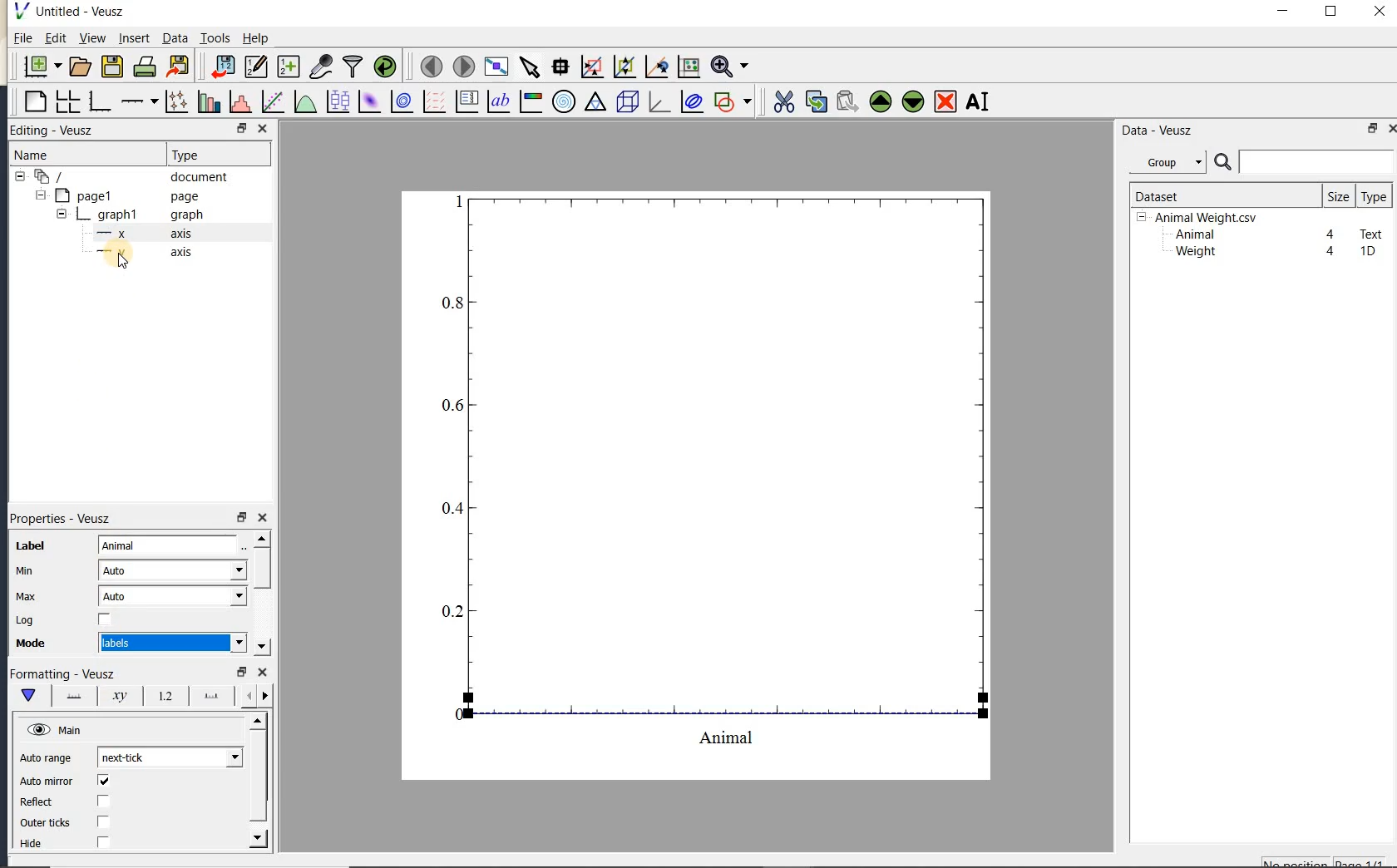 The height and width of the screenshot is (868, 1397). Describe the element at coordinates (27, 571) in the screenshot. I see `Min` at that location.